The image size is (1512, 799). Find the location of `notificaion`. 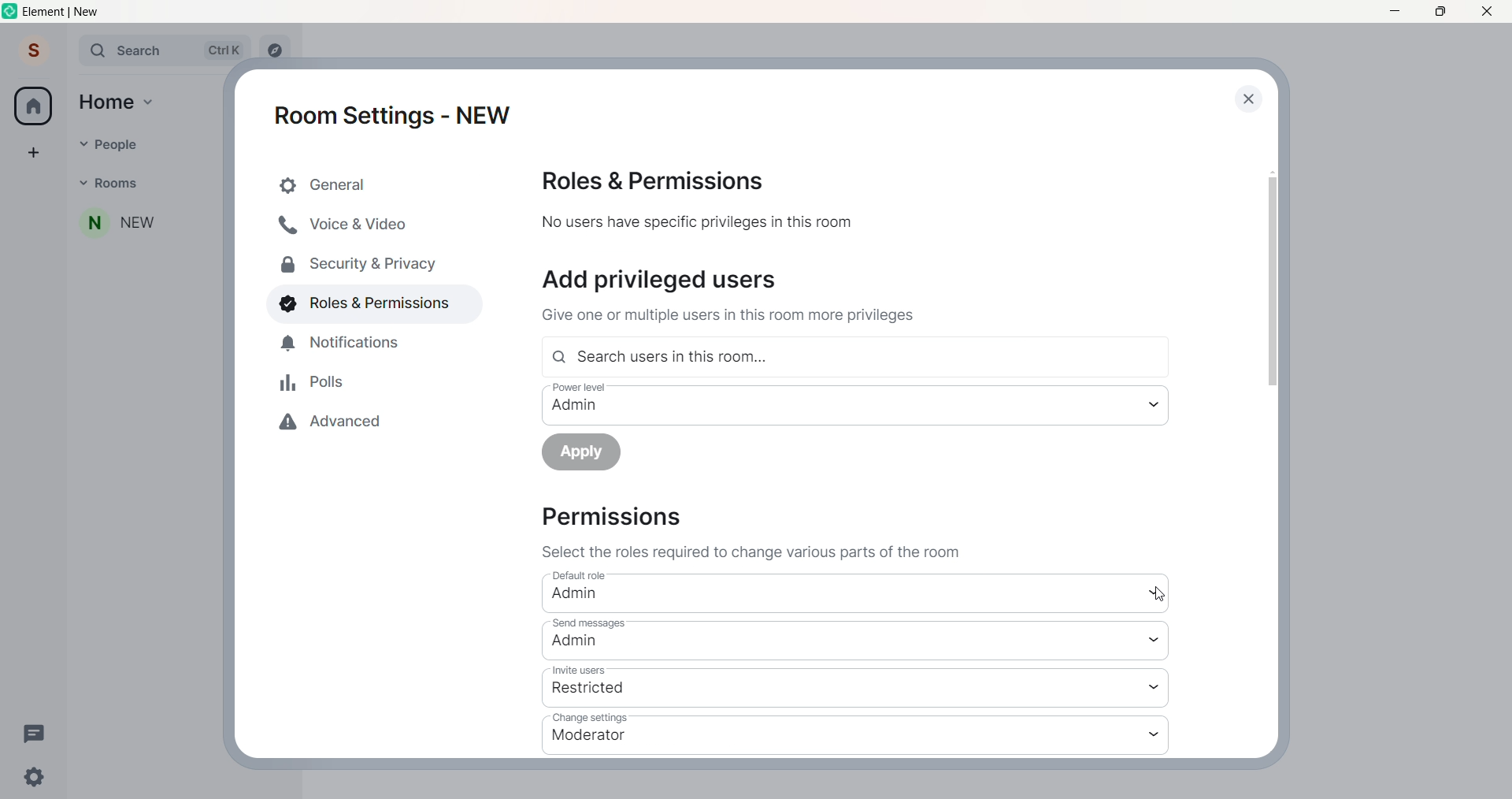

notificaion is located at coordinates (340, 347).